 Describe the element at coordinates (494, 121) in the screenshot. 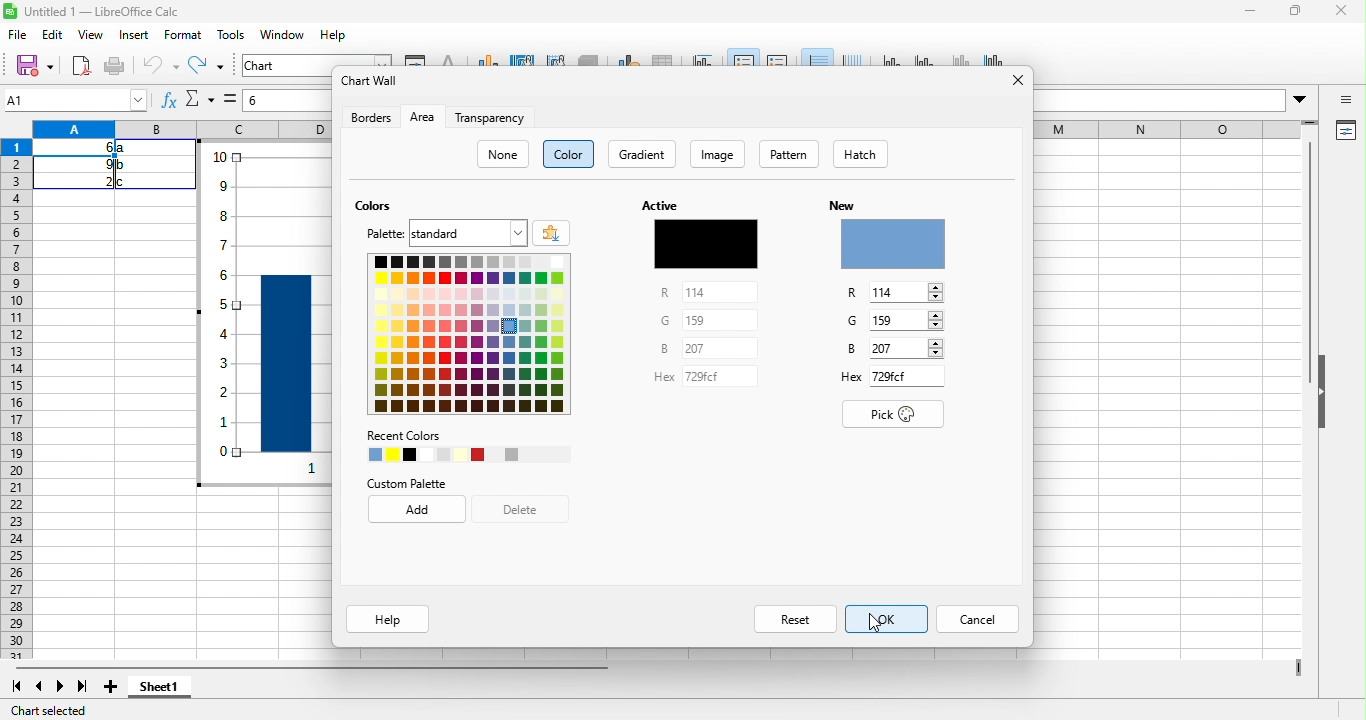

I see `transparency` at that location.